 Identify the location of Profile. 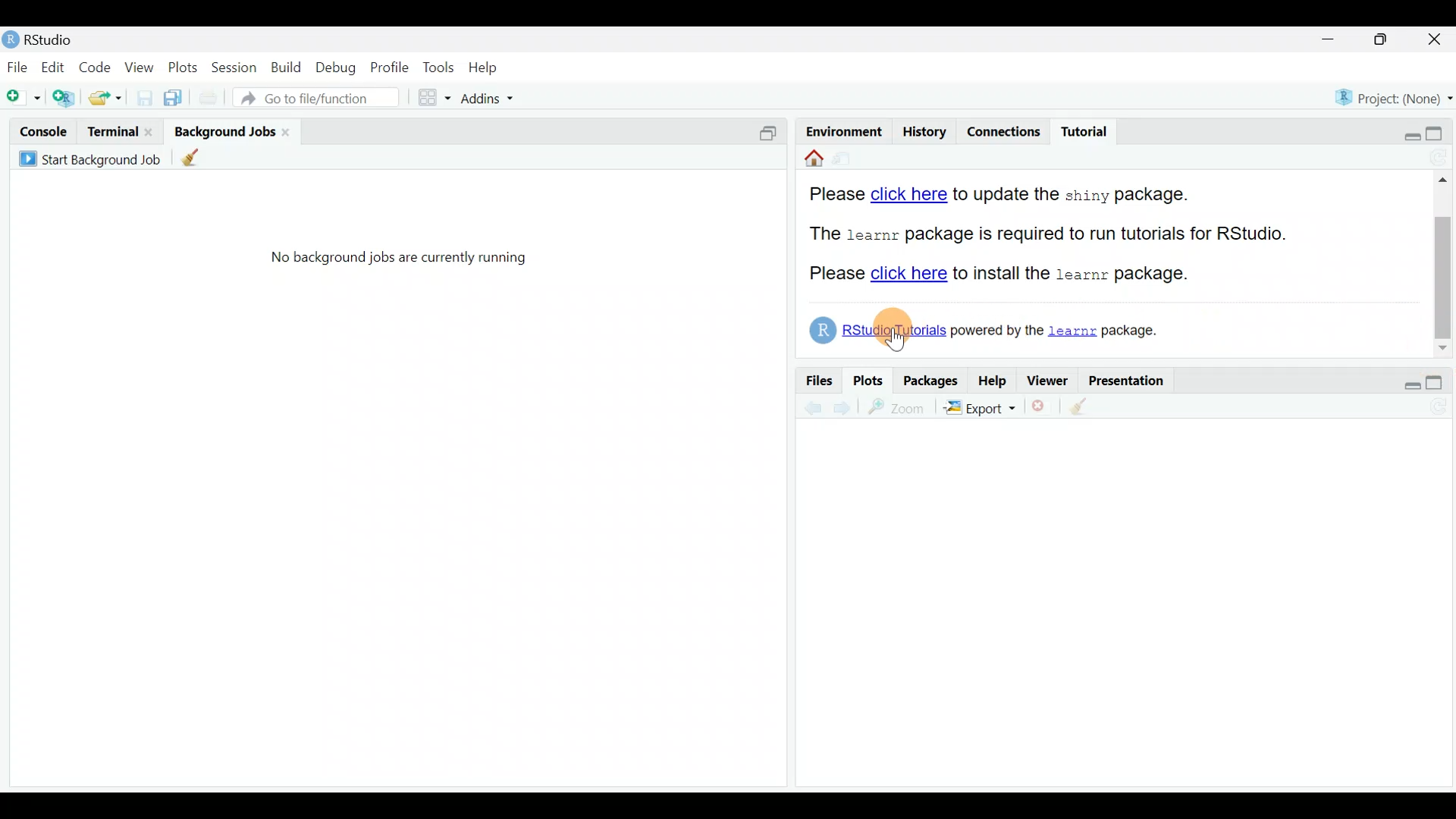
(390, 69).